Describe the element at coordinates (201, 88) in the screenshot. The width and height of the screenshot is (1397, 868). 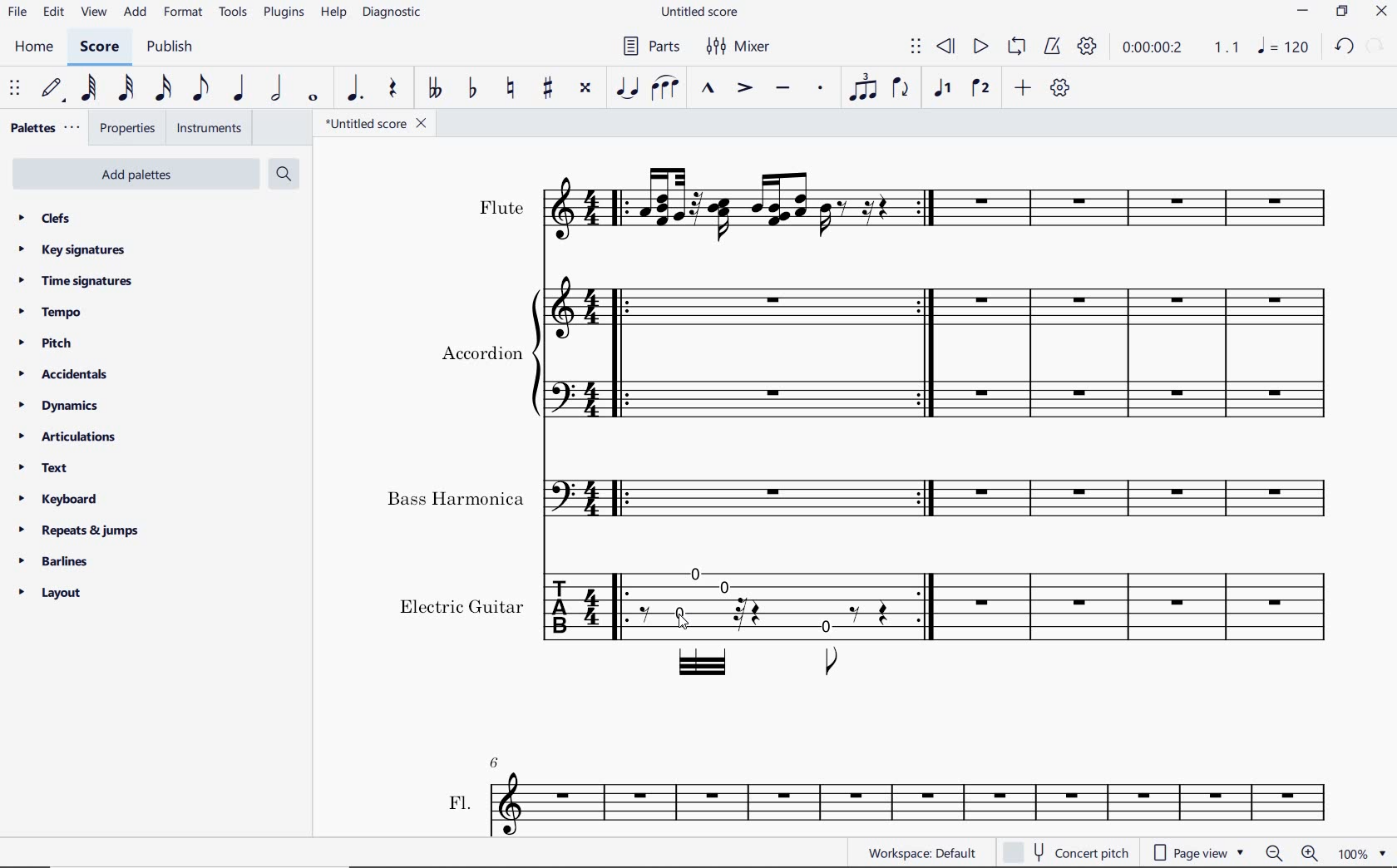
I see `eighth note` at that location.